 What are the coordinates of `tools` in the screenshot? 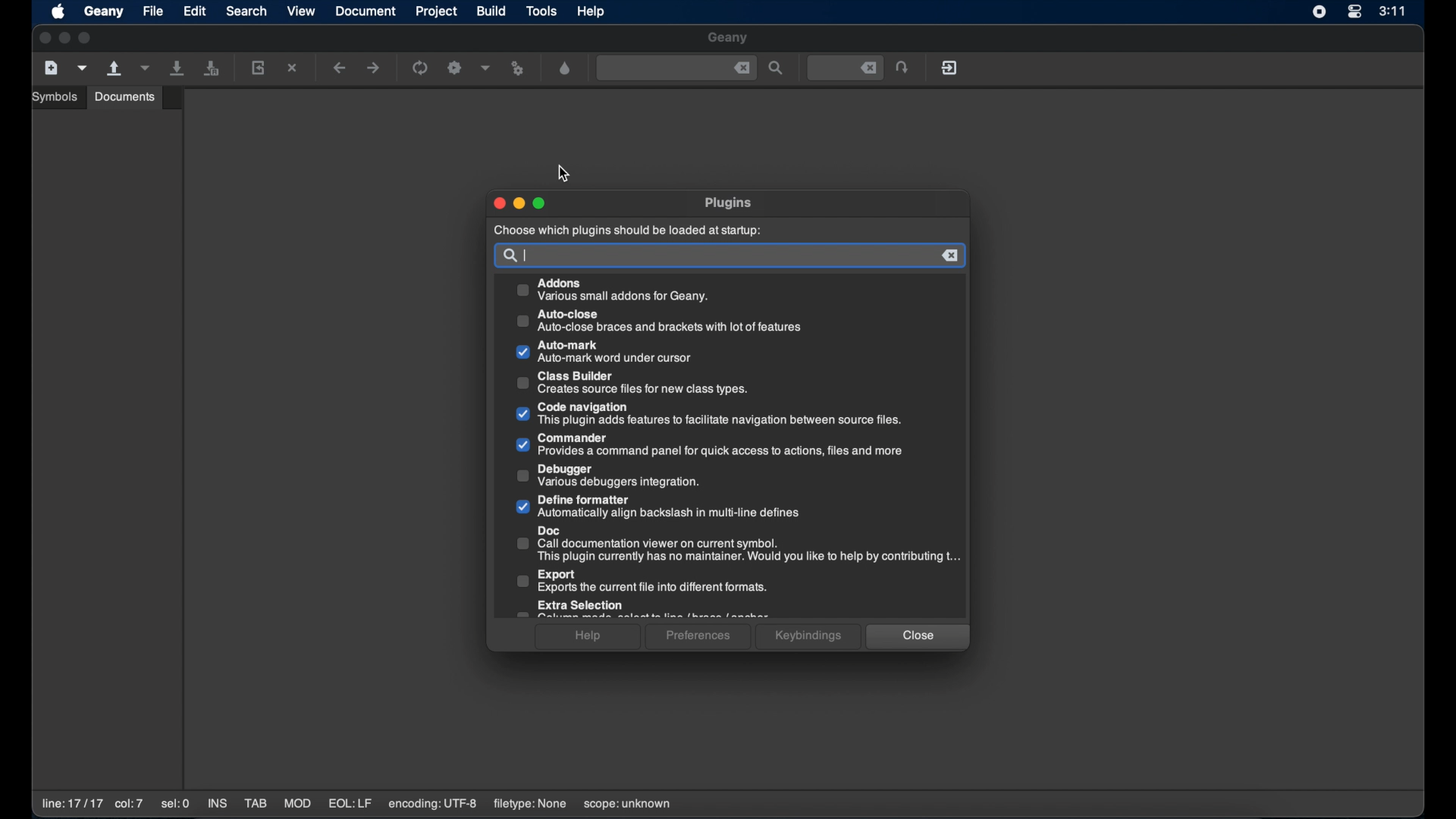 It's located at (542, 12).